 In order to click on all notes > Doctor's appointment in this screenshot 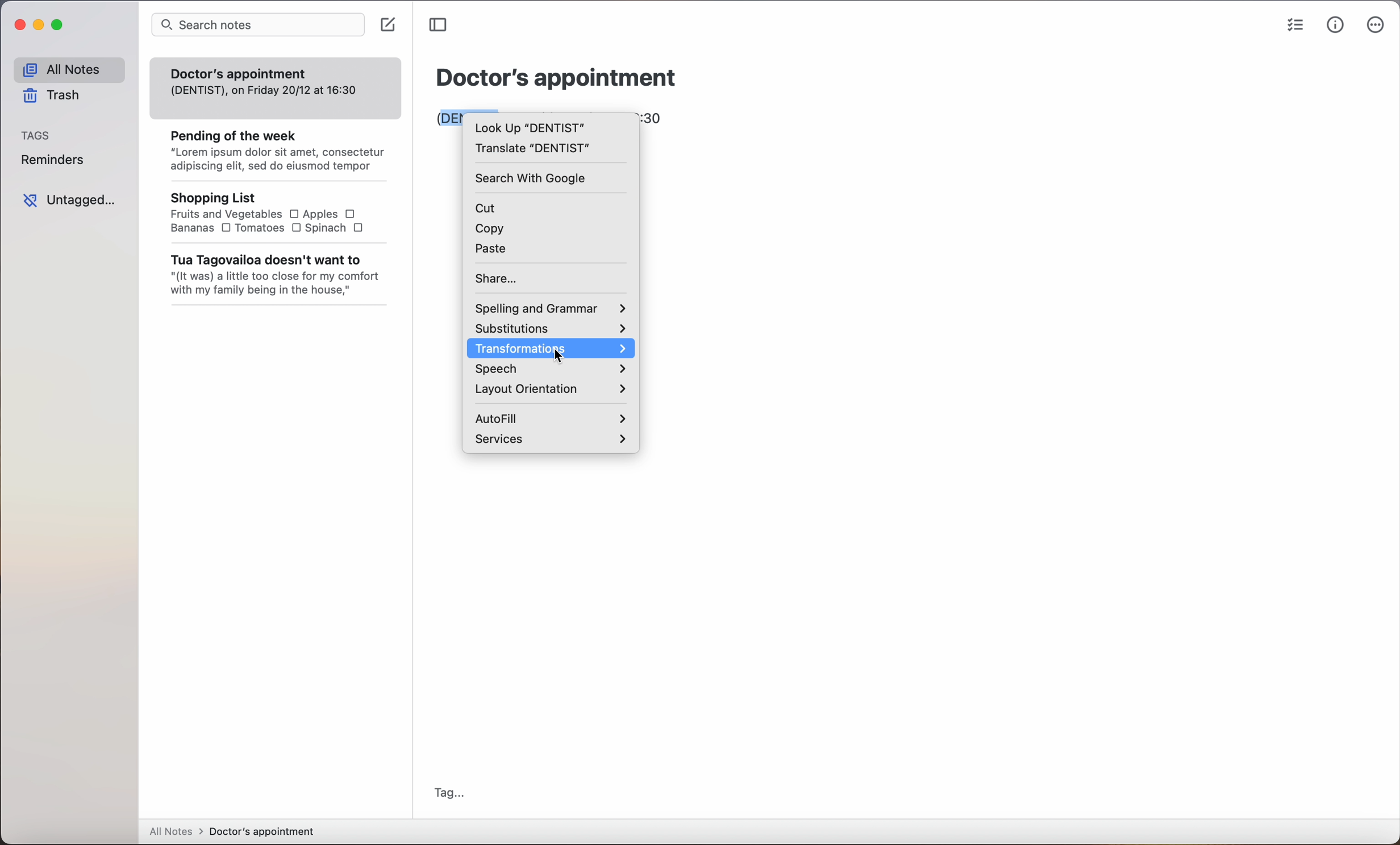, I will do `click(234, 831)`.